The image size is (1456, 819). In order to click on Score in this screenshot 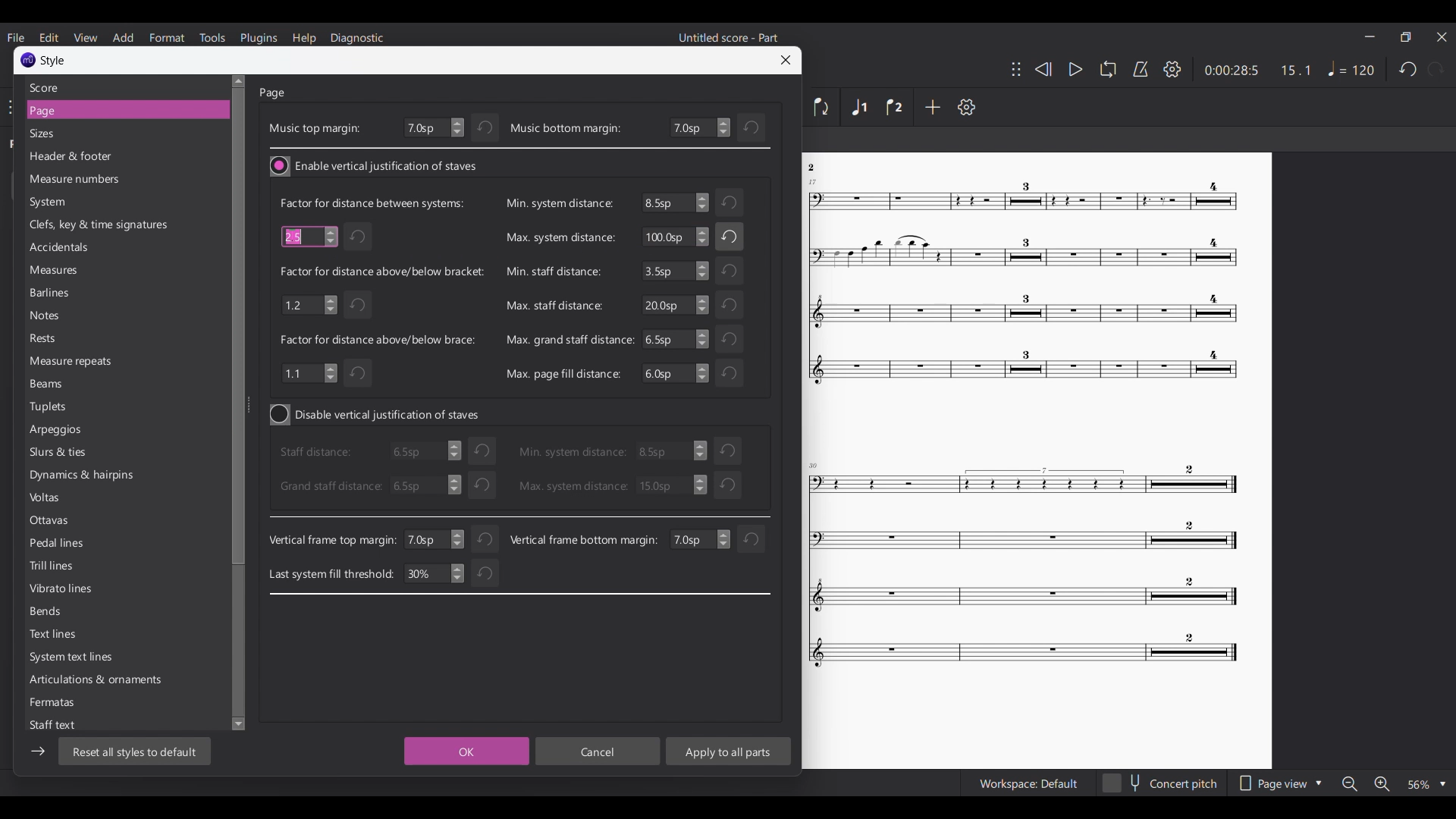, I will do `click(119, 87)`.